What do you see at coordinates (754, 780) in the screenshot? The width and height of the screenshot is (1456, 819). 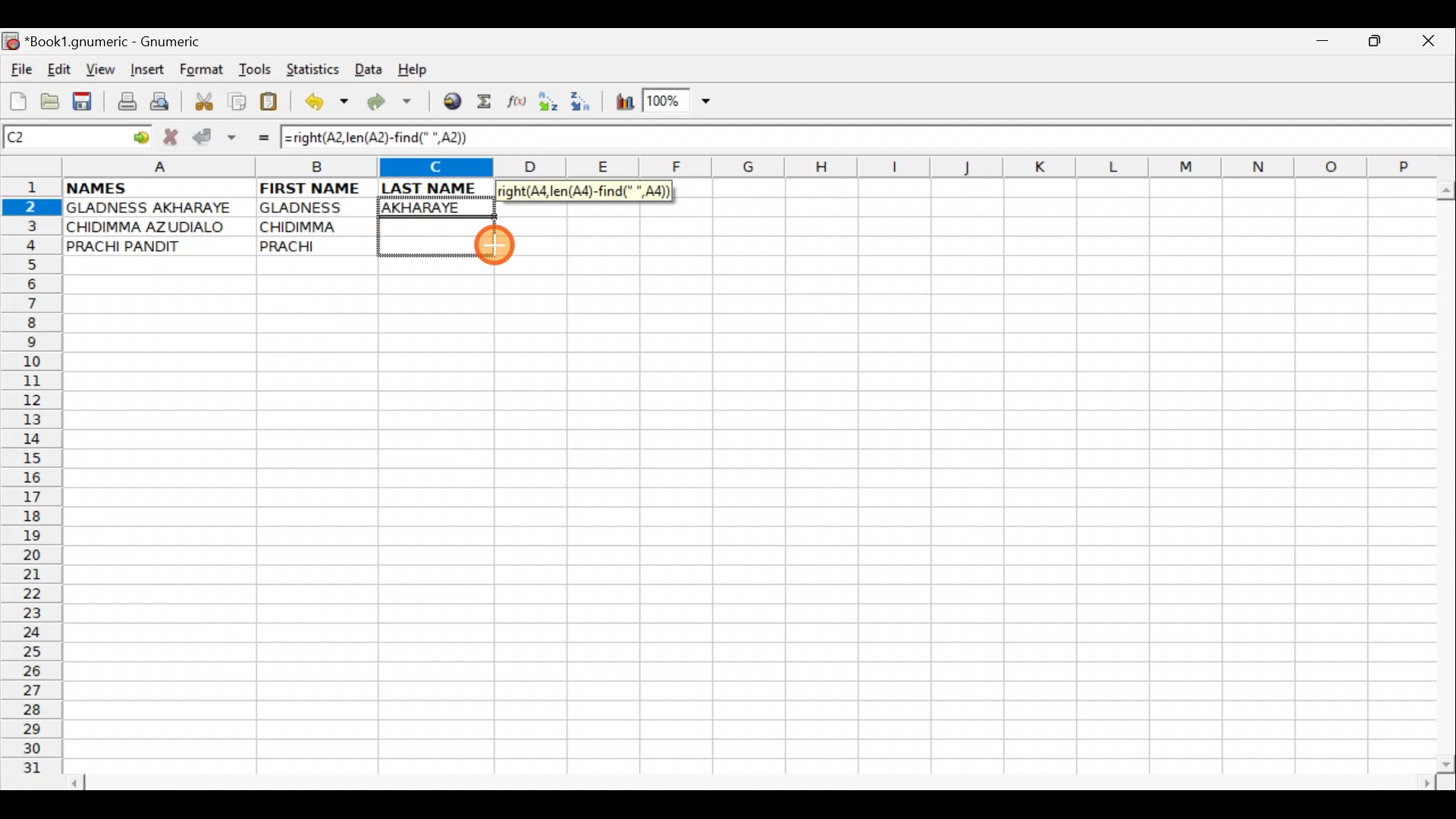 I see `Scroll bar` at bounding box center [754, 780].